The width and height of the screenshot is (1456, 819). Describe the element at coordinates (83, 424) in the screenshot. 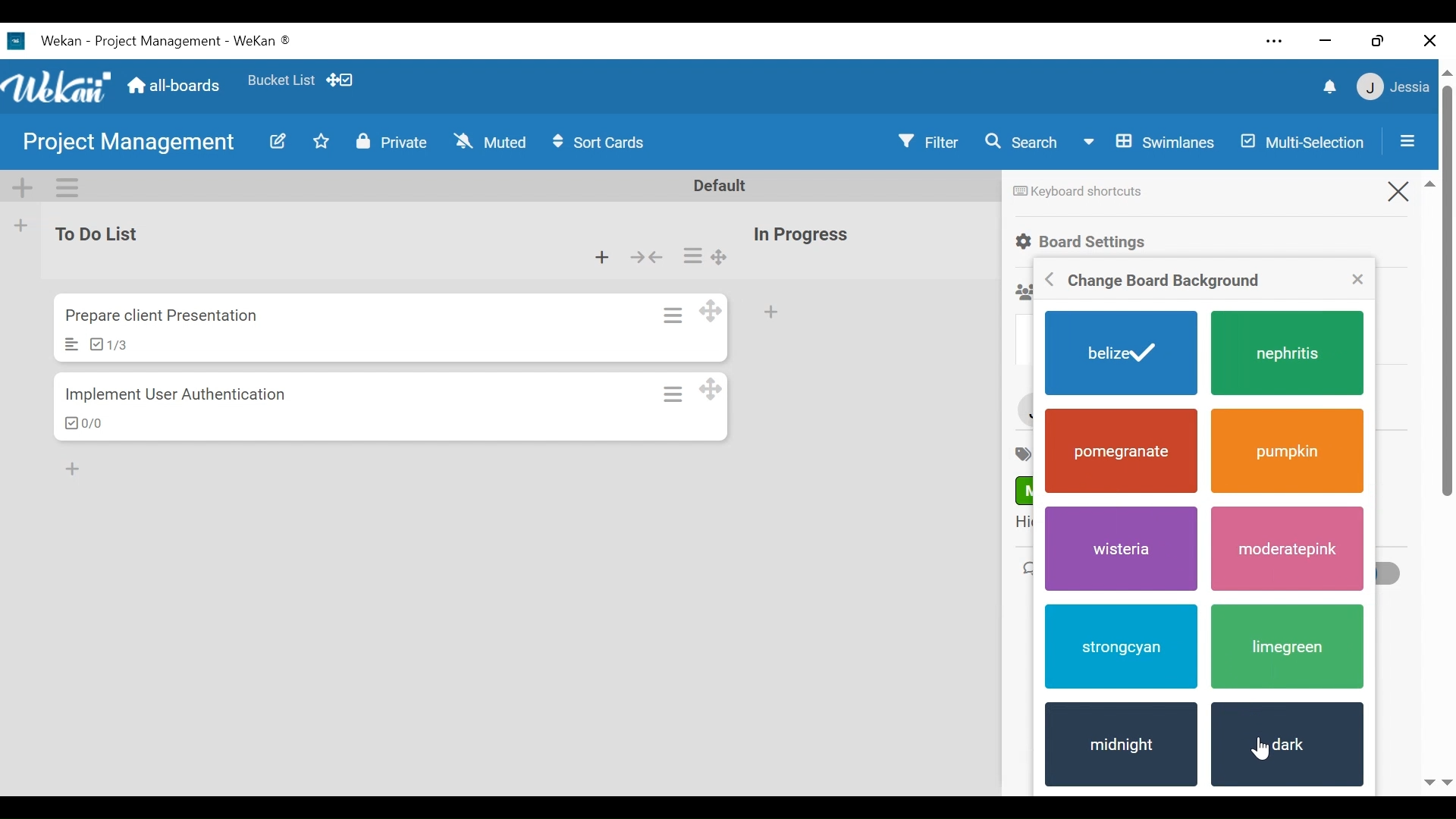

I see `Checklist` at that location.